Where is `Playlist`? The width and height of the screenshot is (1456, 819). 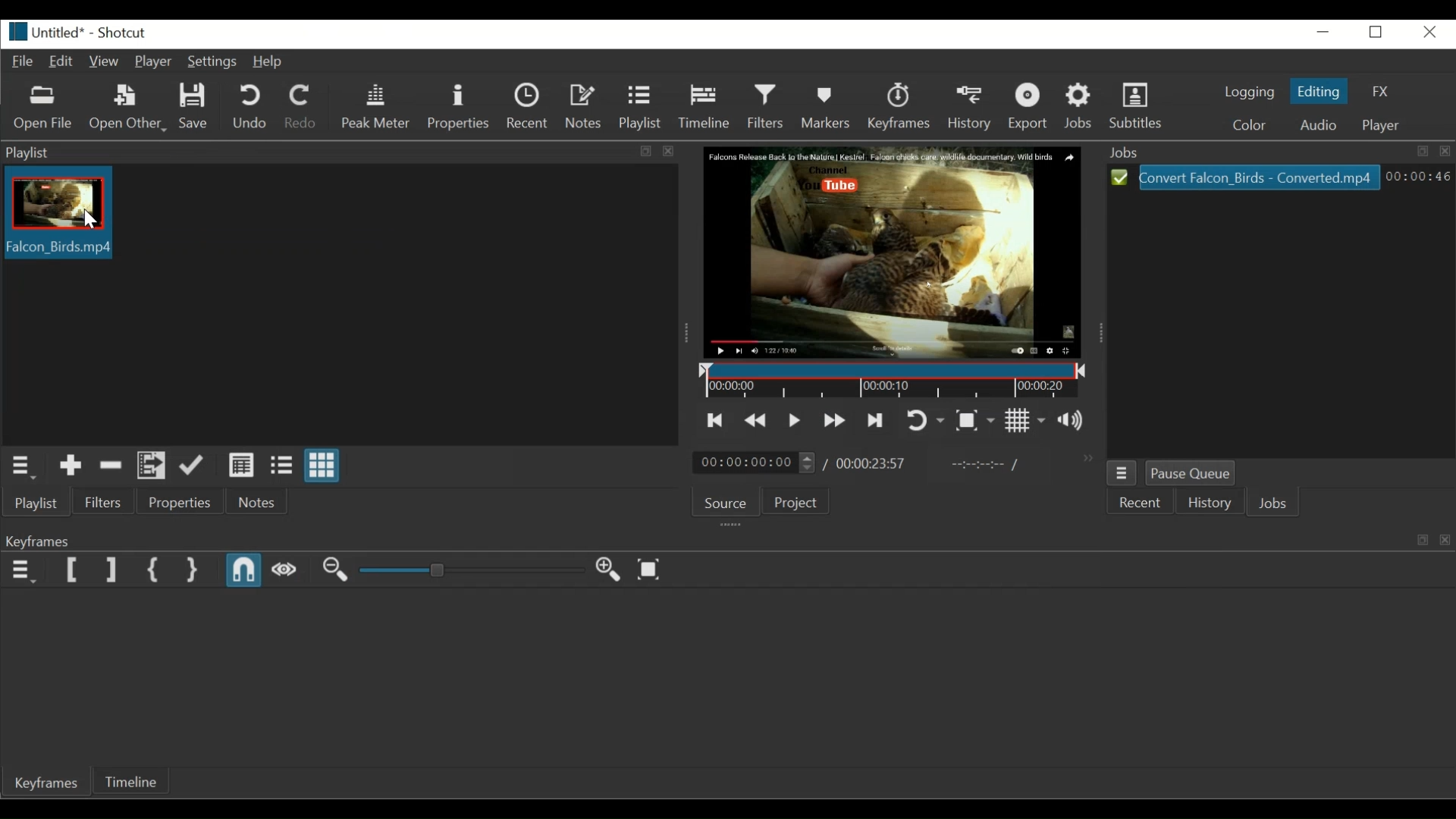
Playlist is located at coordinates (642, 107).